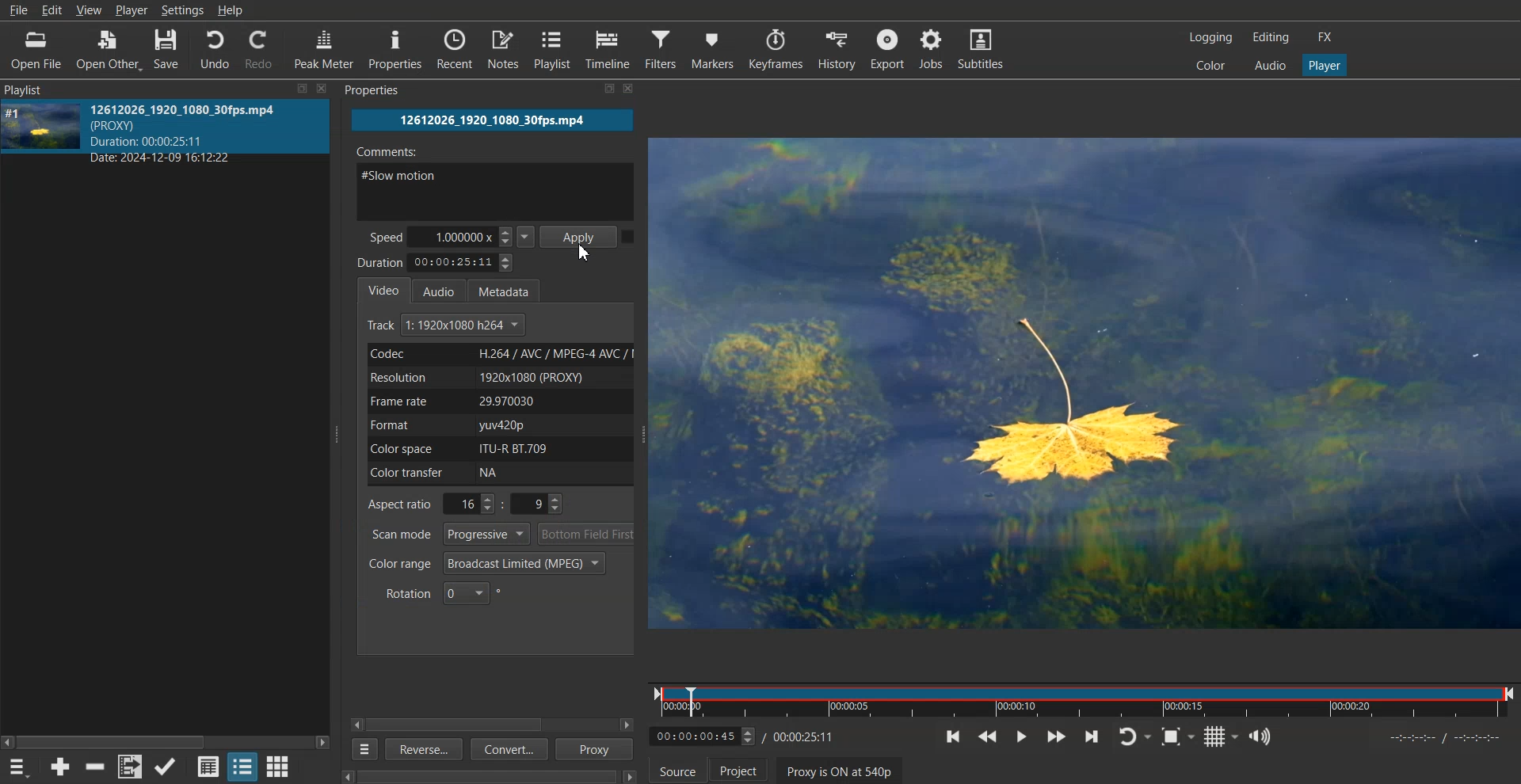 The height and width of the screenshot is (784, 1521). I want to click on Redo, so click(262, 48).